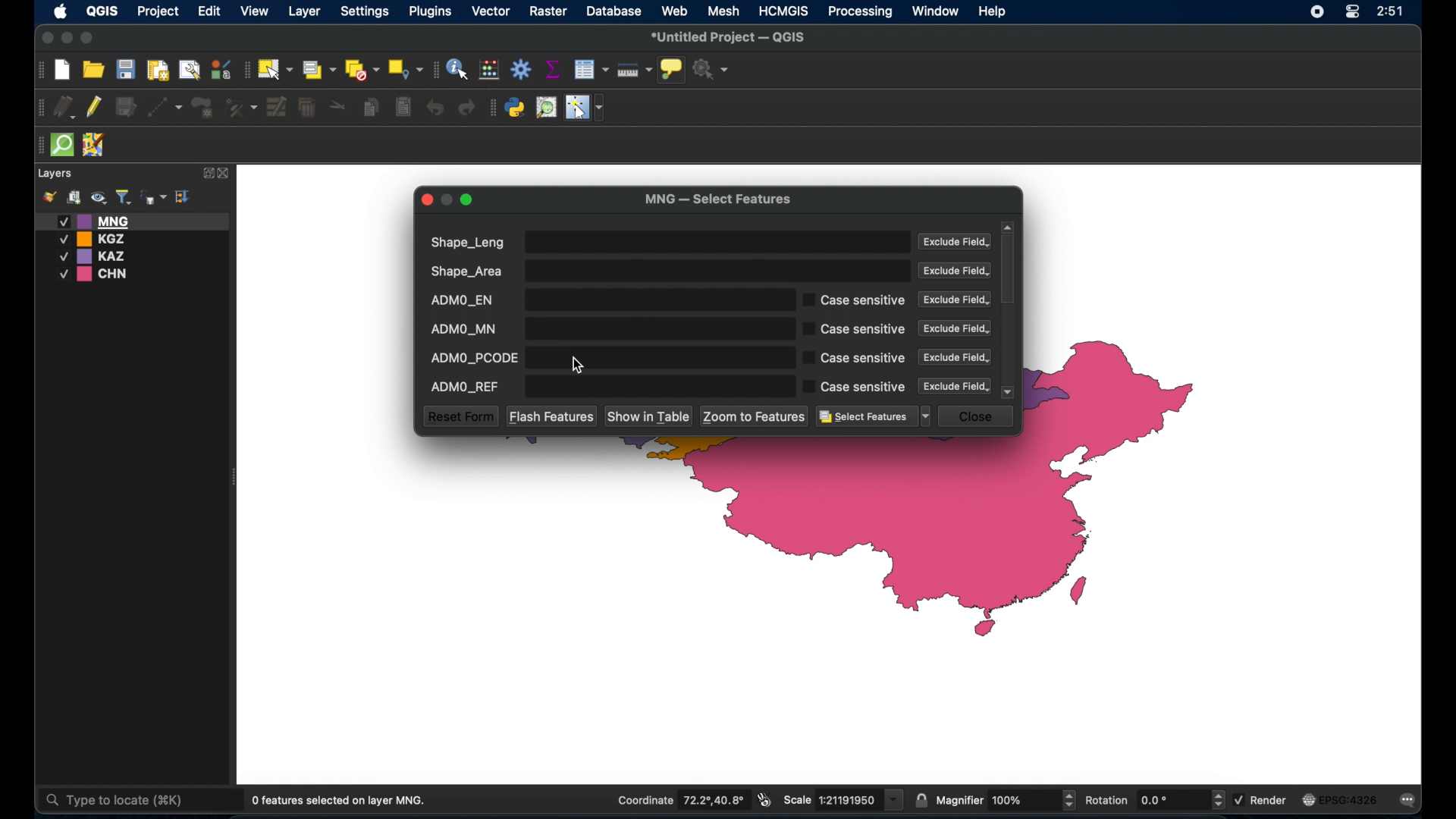 This screenshot has width=1456, height=819. What do you see at coordinates (855, 387) in the screenshot?
I see `case sensitive` at bounding box center [855, 387].